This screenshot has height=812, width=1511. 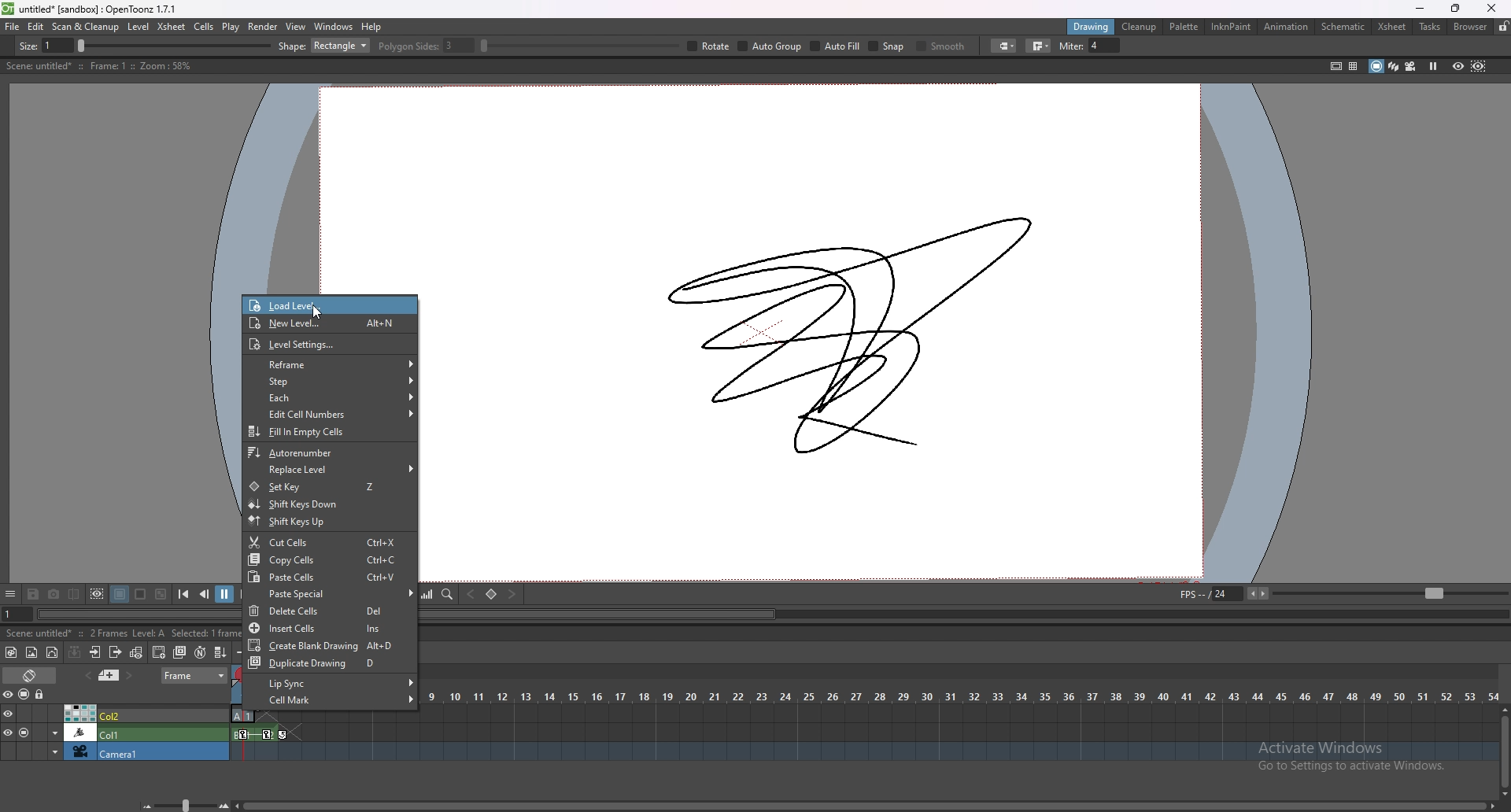 What do you see at coordinates (120, 594) in the screenshot?
I see `black background` at bounding box center [120, 594].